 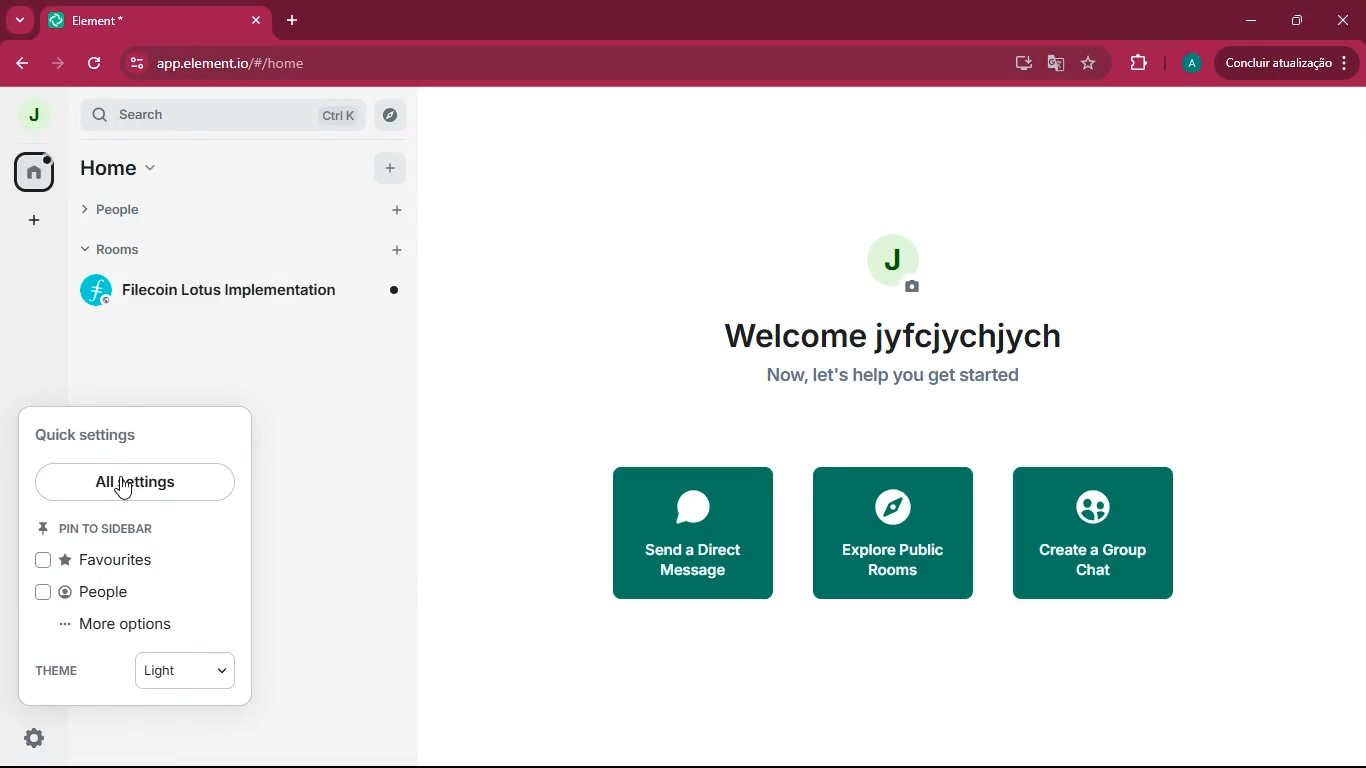 I want to click on theme, so click(x=62, y=675).